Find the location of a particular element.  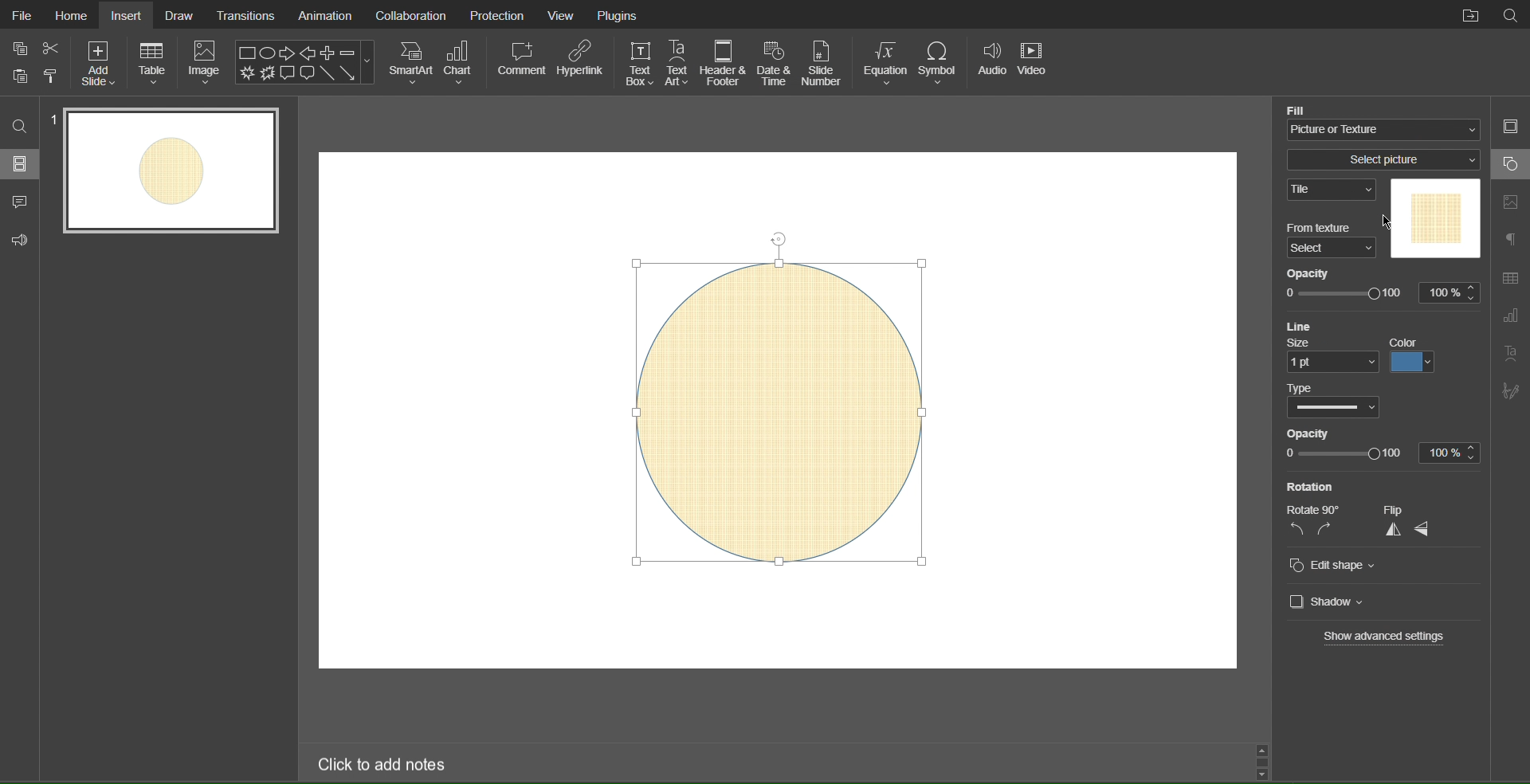

scroll up is located at coordinates (1259, 749).